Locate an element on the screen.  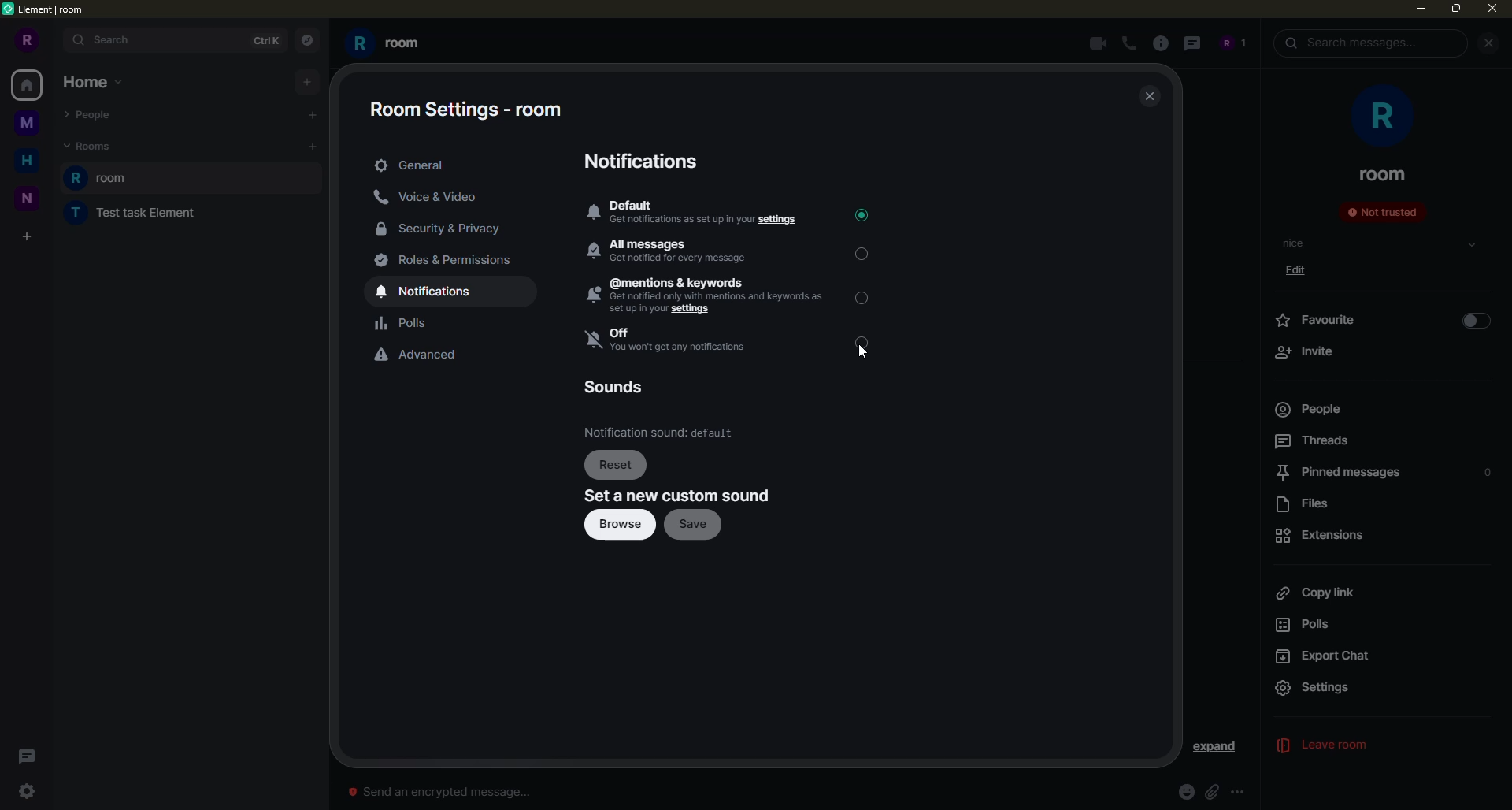
R is located at coordinates (27, 39).